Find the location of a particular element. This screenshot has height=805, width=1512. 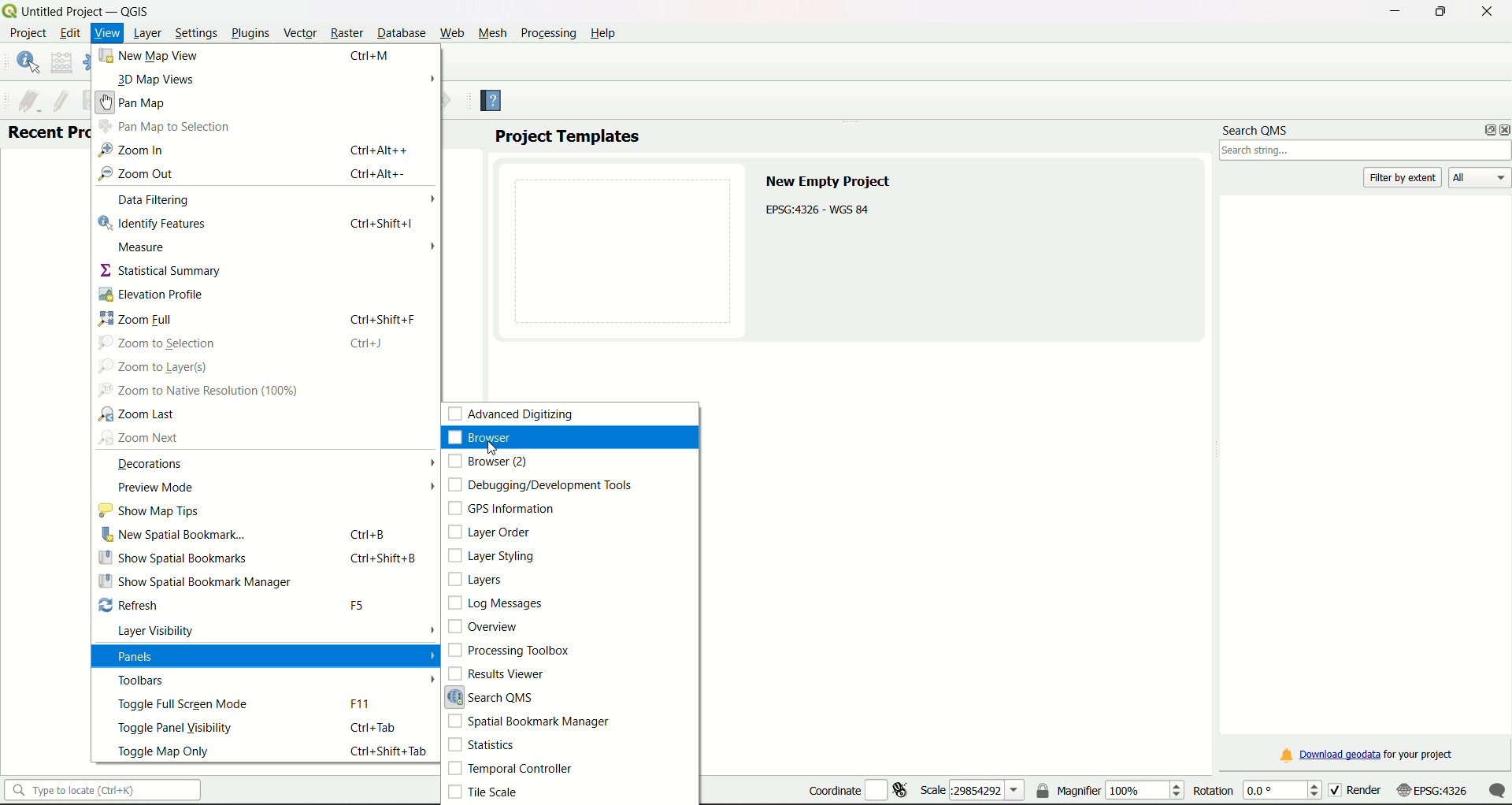

Browser (2) is located at coordinates (488, 462).